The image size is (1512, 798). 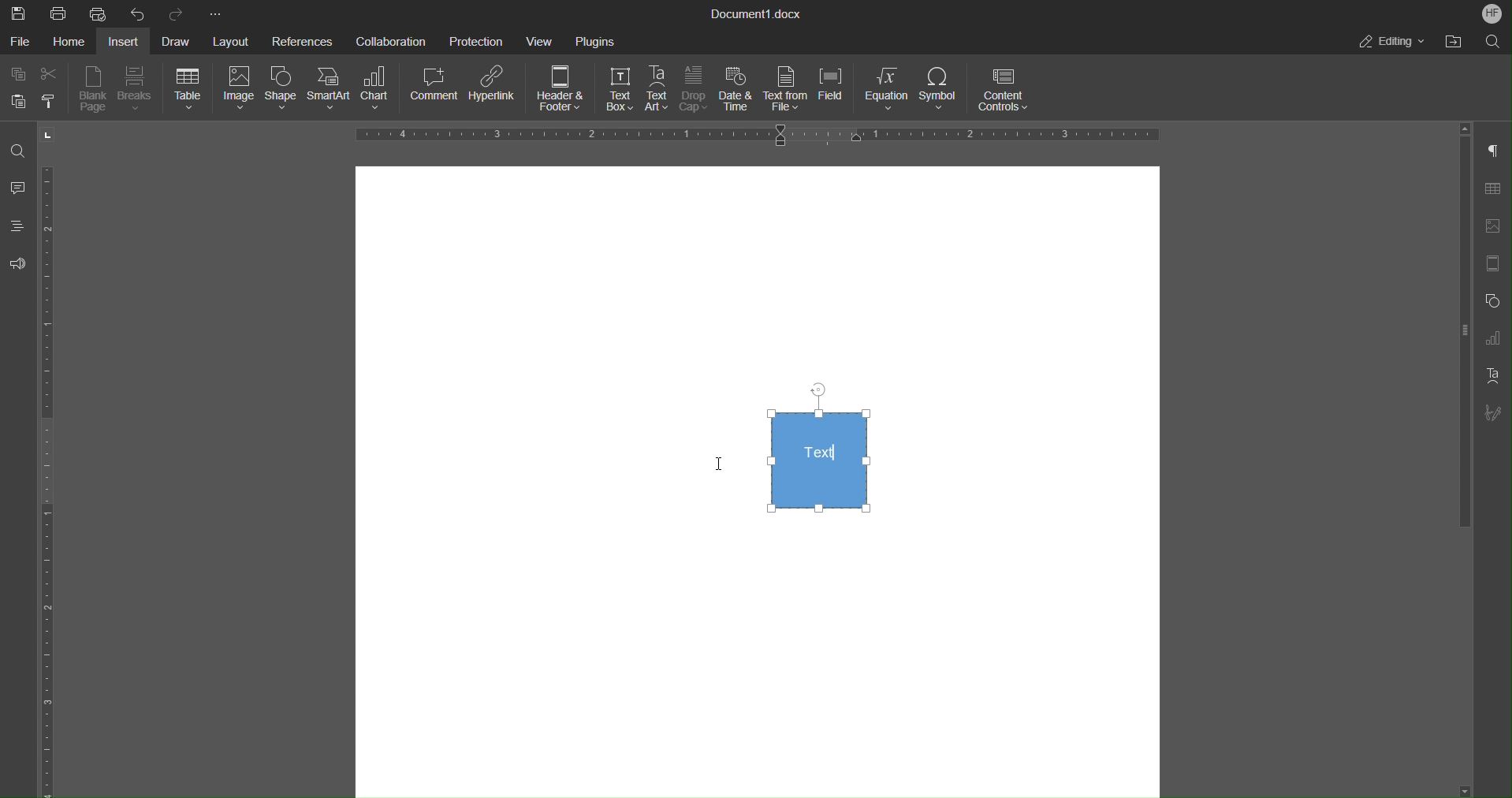 What do you see at coordinates (54, 74) in the screenshot?
I see `Cut` at bounding box center [54, 74].